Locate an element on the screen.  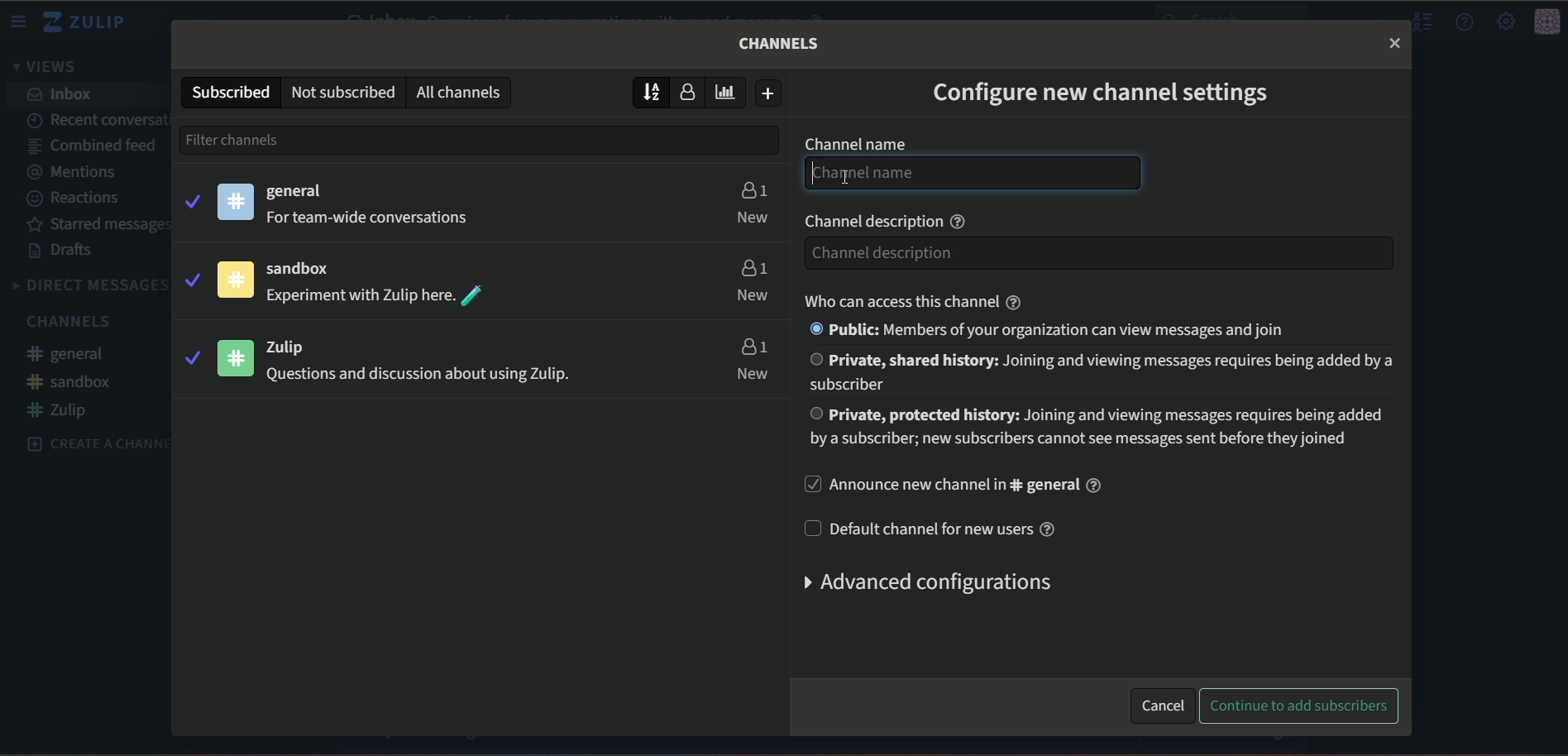
Default channel for new users is located at coordinates (936, 529).